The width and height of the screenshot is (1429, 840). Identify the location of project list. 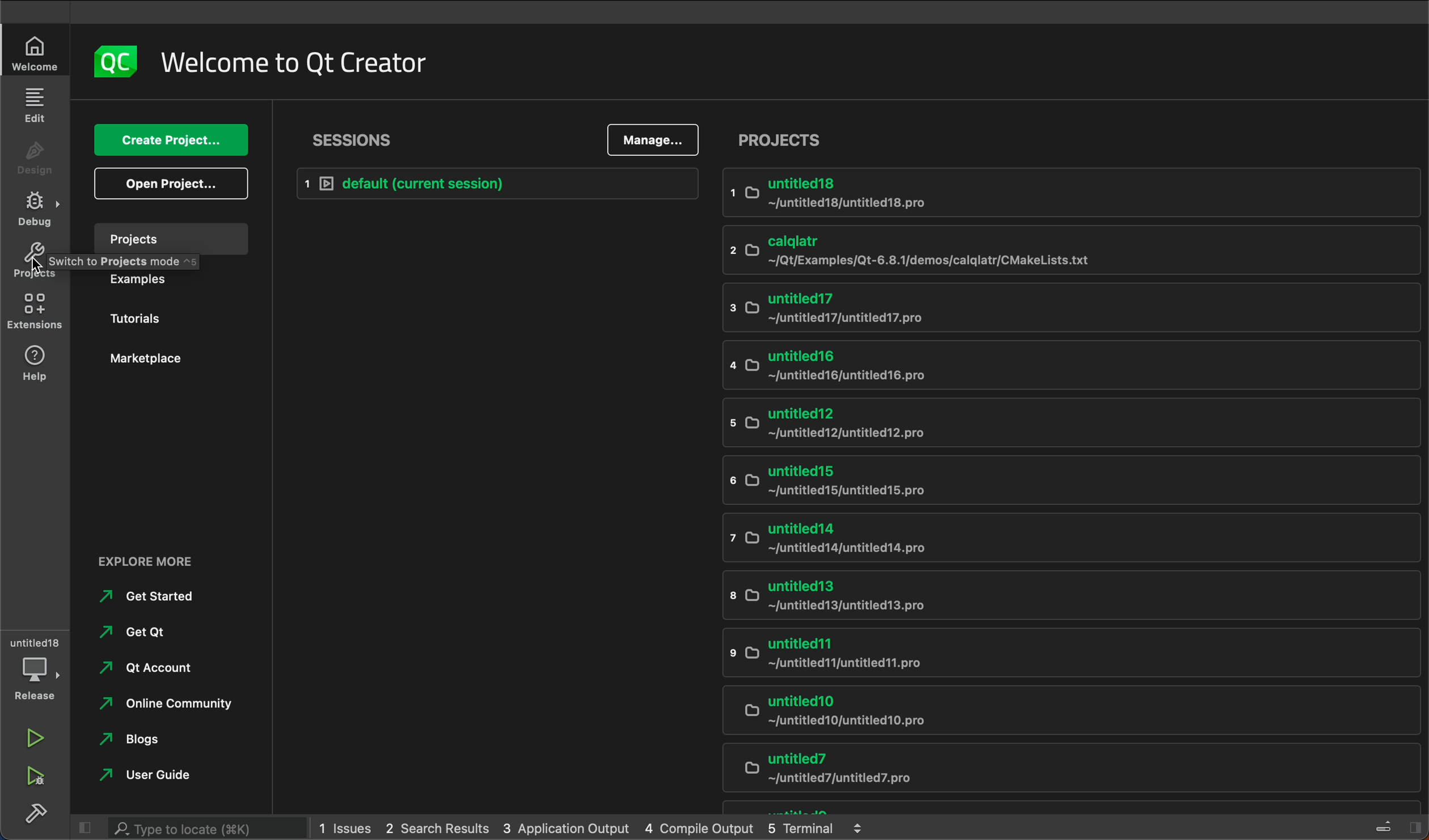
(782, 138).